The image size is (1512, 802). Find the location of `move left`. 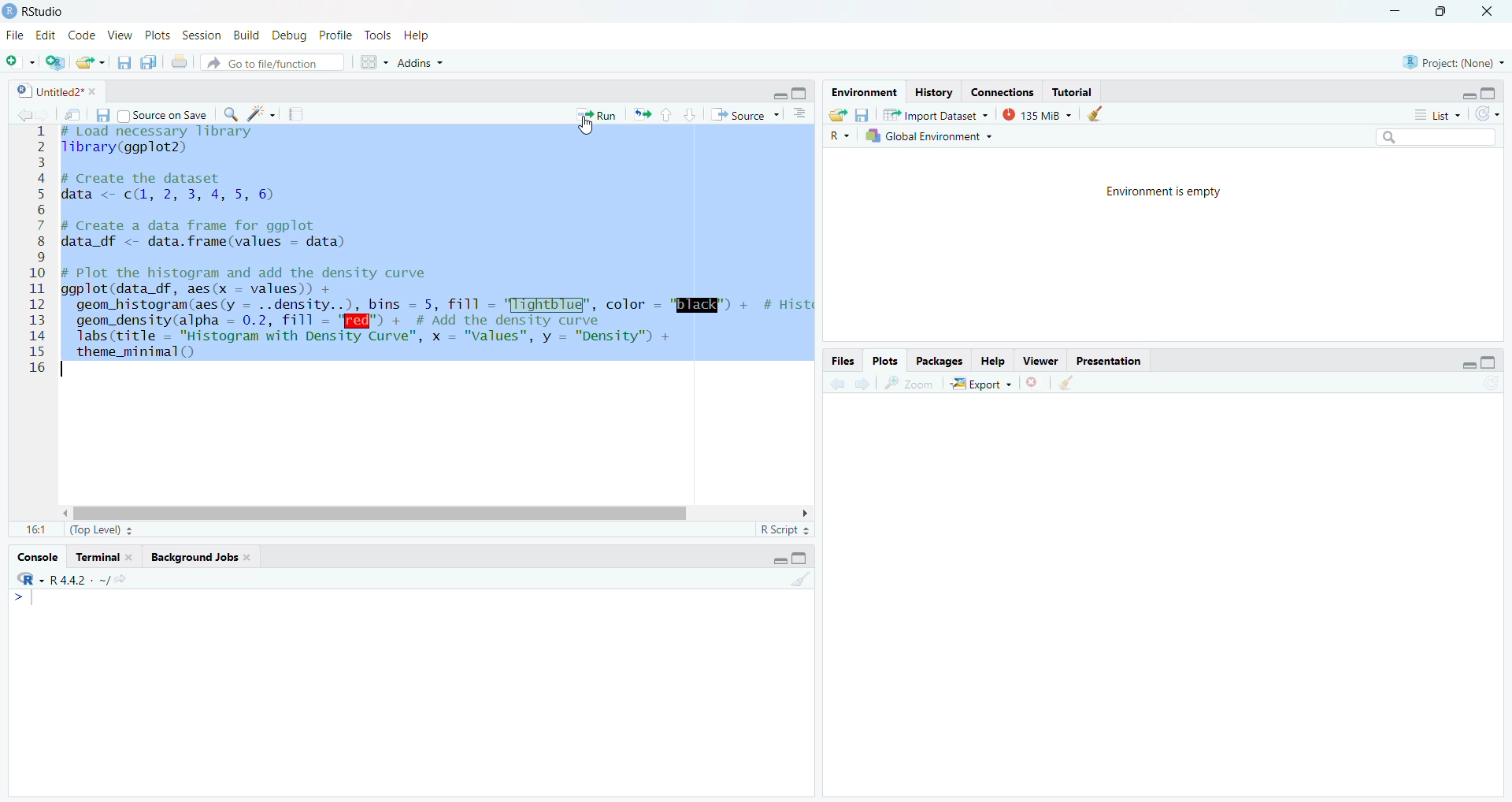

move left is located at coordinates (69, 511).